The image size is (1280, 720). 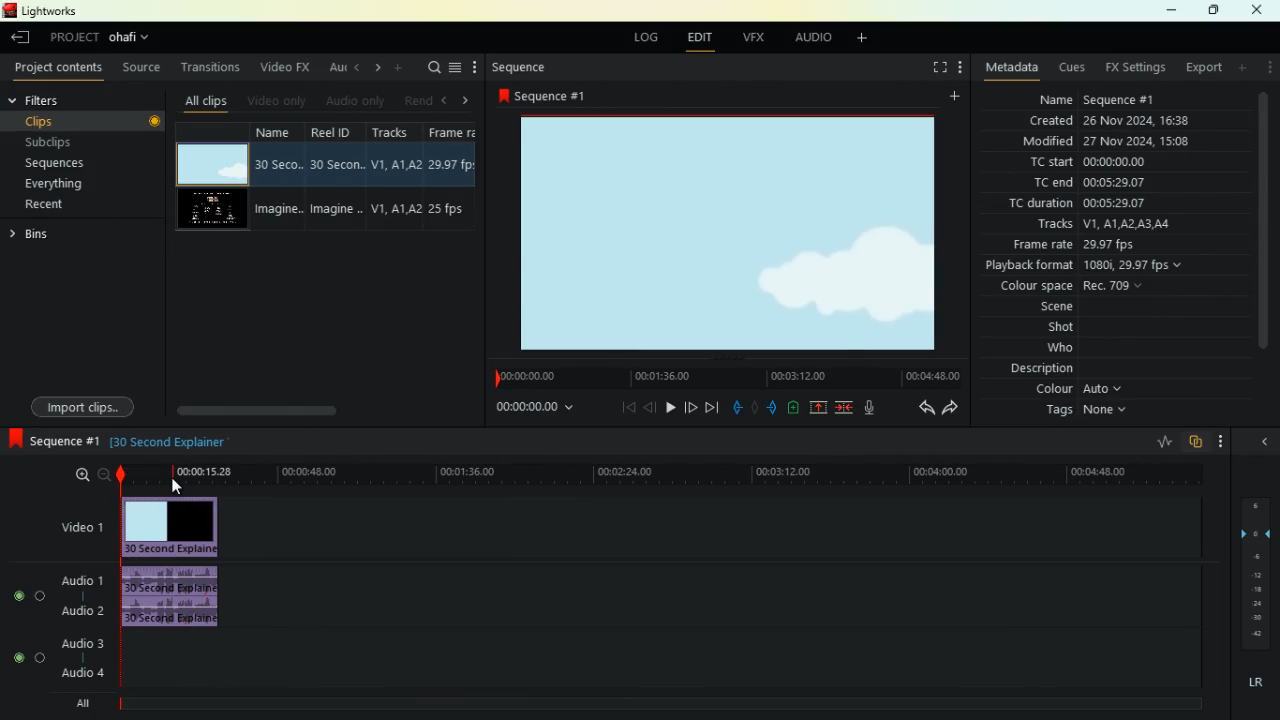 I want to click on forward, so click(x=693, y=407).